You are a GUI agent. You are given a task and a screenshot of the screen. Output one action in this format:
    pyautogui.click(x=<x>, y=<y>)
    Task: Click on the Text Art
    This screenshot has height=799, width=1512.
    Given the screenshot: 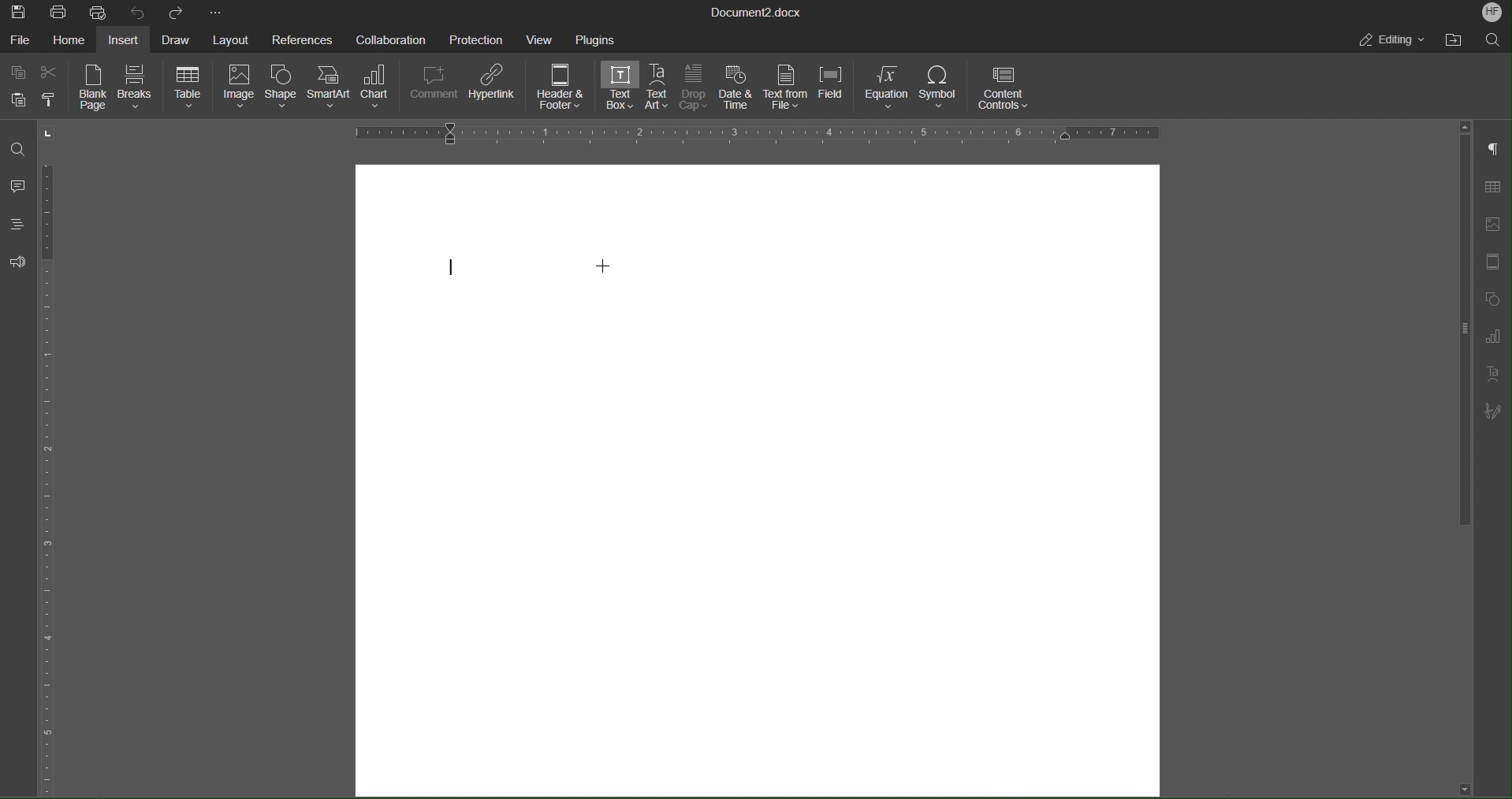 What is the action you would take?
    pyautogui.click(x=659, y=87)
    